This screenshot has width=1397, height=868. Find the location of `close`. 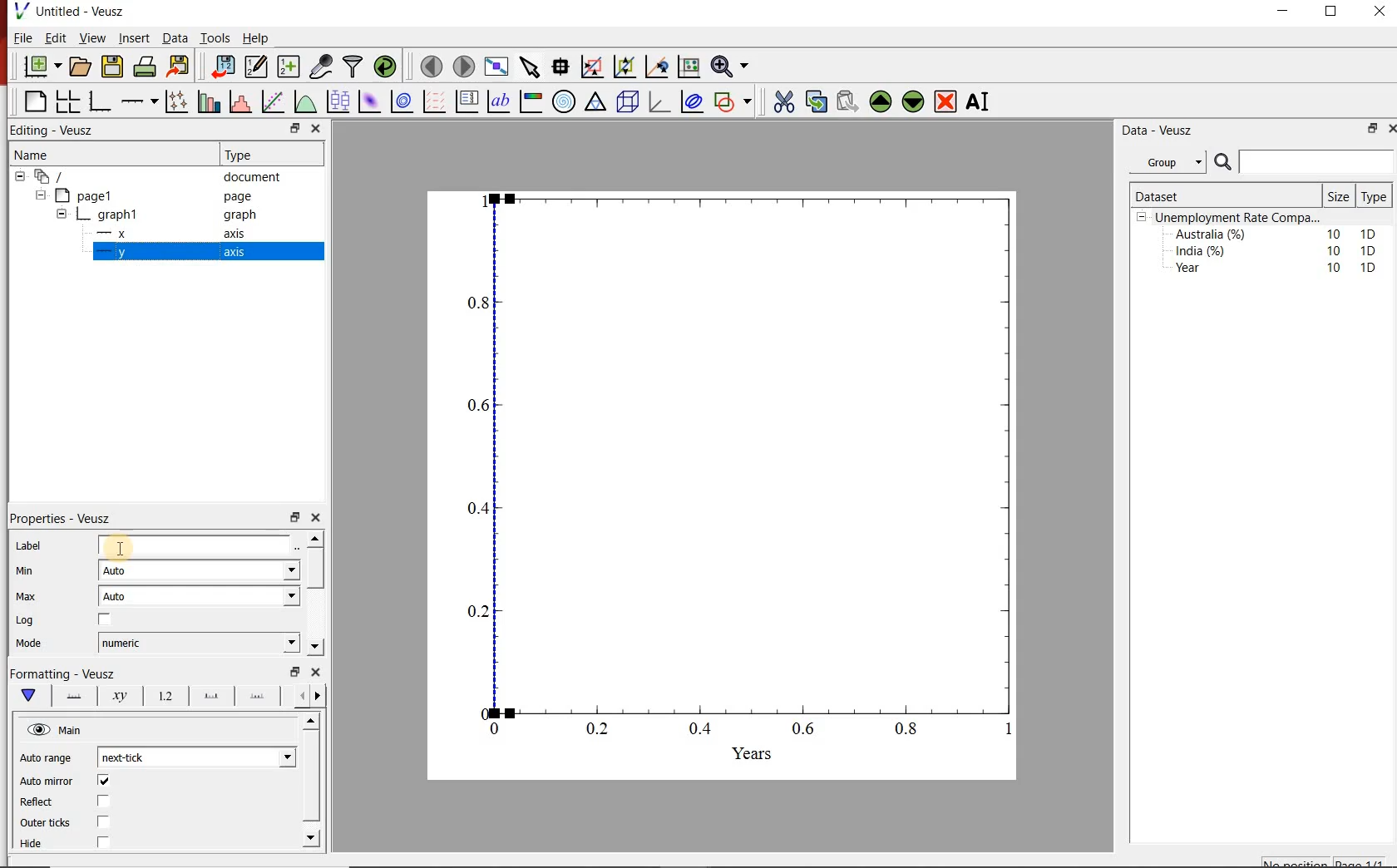

close is located at coordinates (1378, 15).